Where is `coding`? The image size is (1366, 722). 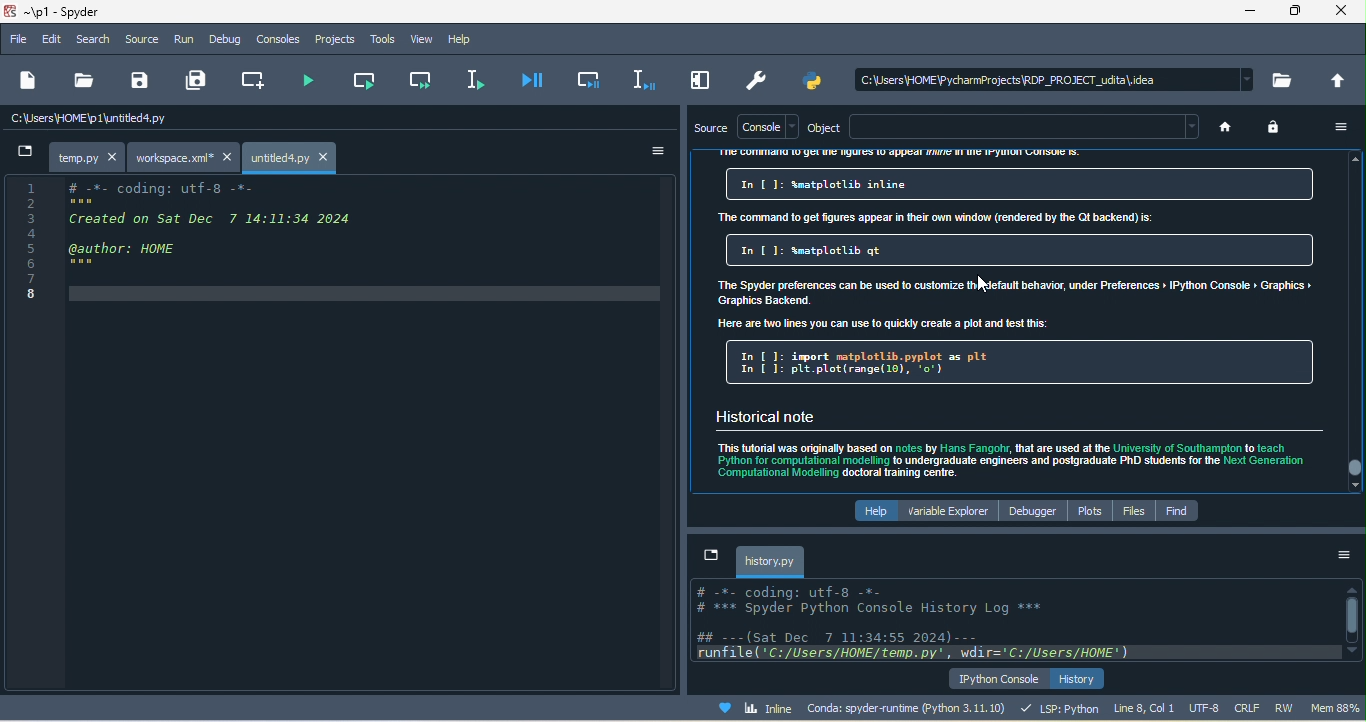
coding is located at coordinates (332, 245).